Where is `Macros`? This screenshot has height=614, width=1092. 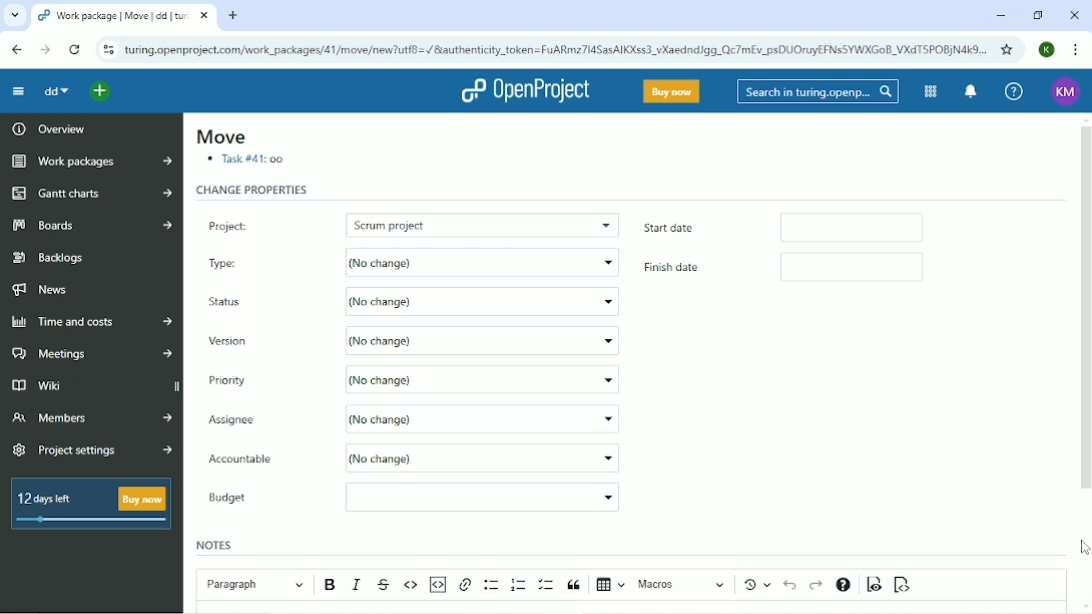 Macros is located at coordinates (683, 584).